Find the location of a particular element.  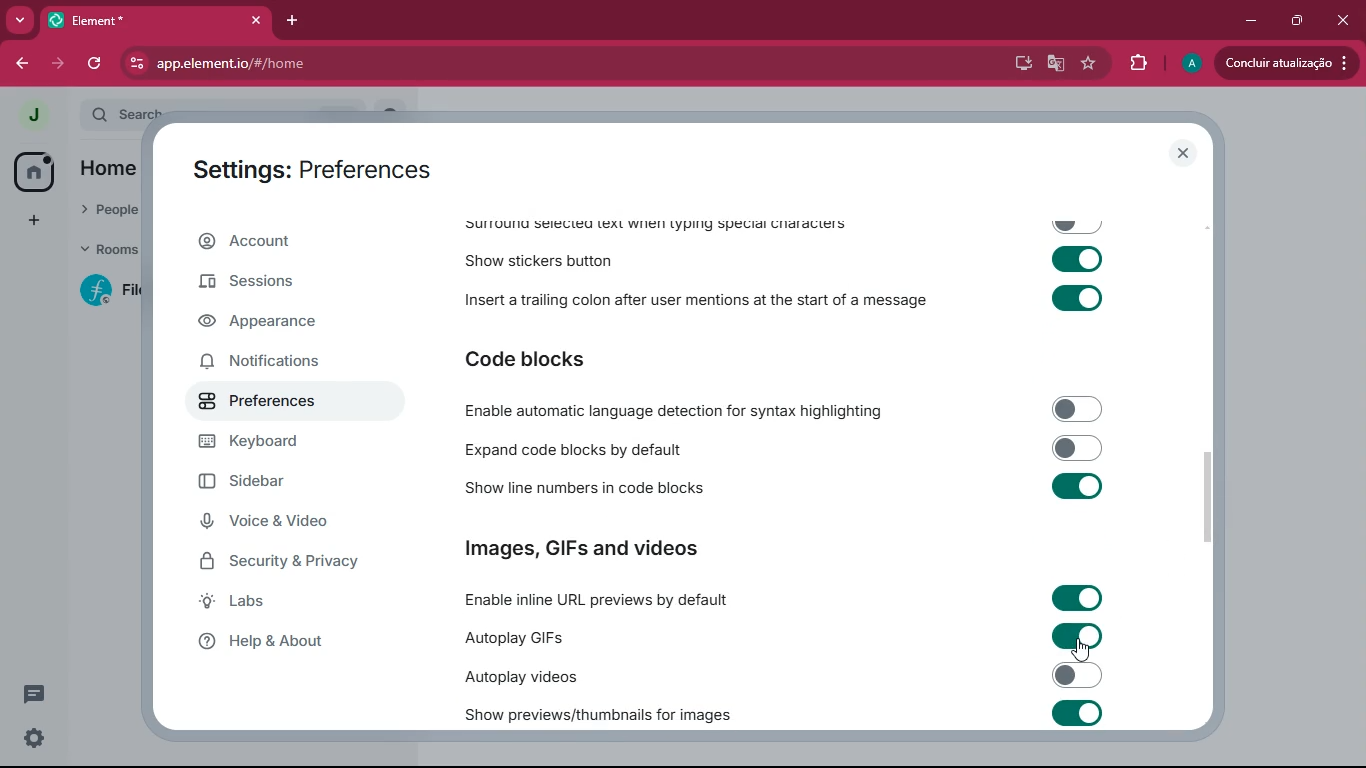

more is located at coordinates (19, 20).